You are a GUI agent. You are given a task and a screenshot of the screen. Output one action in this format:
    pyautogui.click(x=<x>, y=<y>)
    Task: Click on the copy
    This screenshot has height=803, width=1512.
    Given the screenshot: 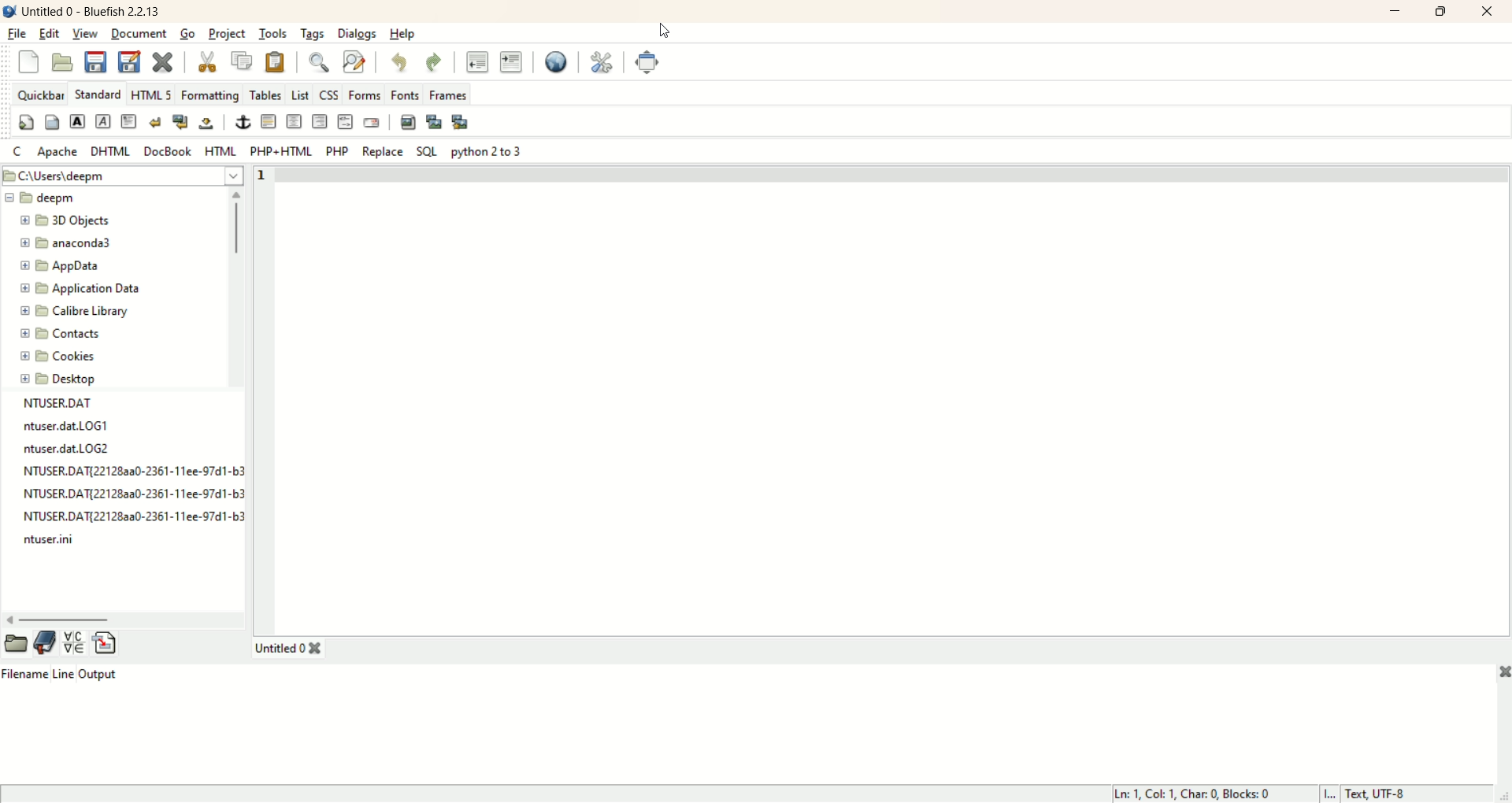 What is the action you would take?
    pyautogui.click(x=243, y=60)
    